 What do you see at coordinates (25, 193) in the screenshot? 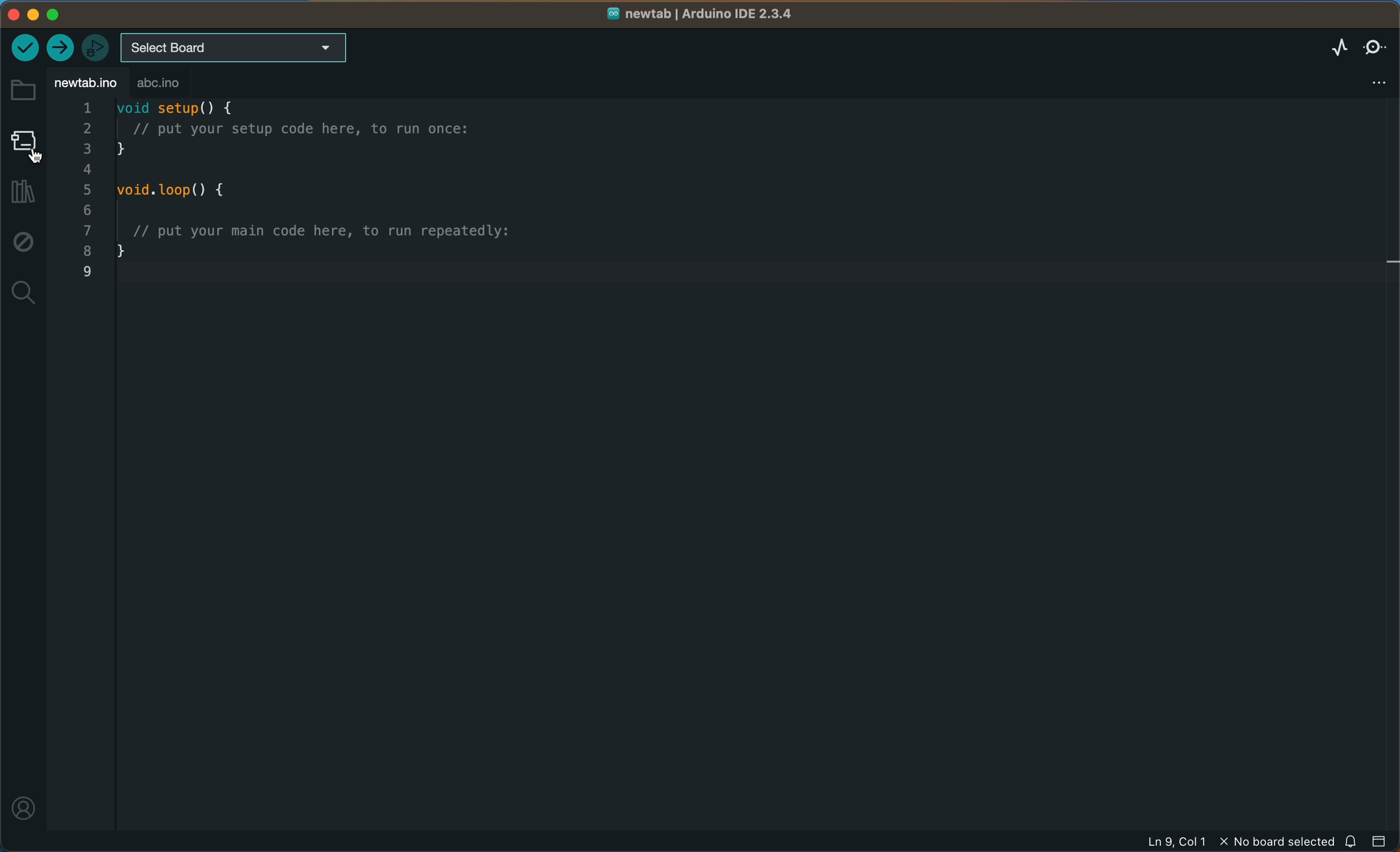
I see `library manager` at bounding box center [25, 193].